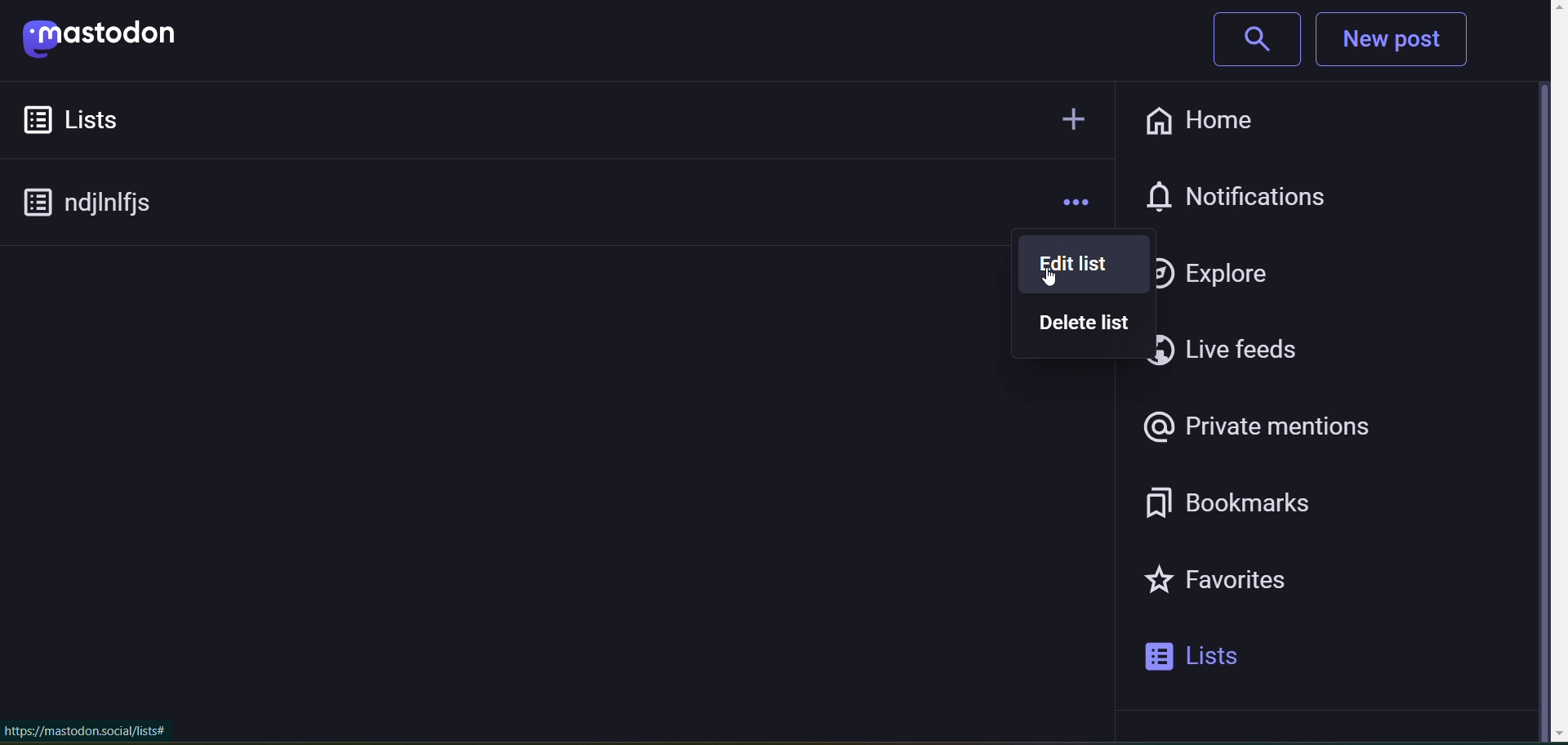 This screenshot has width=1568, height=745. I want to click on edit list, so click(1059, 262).